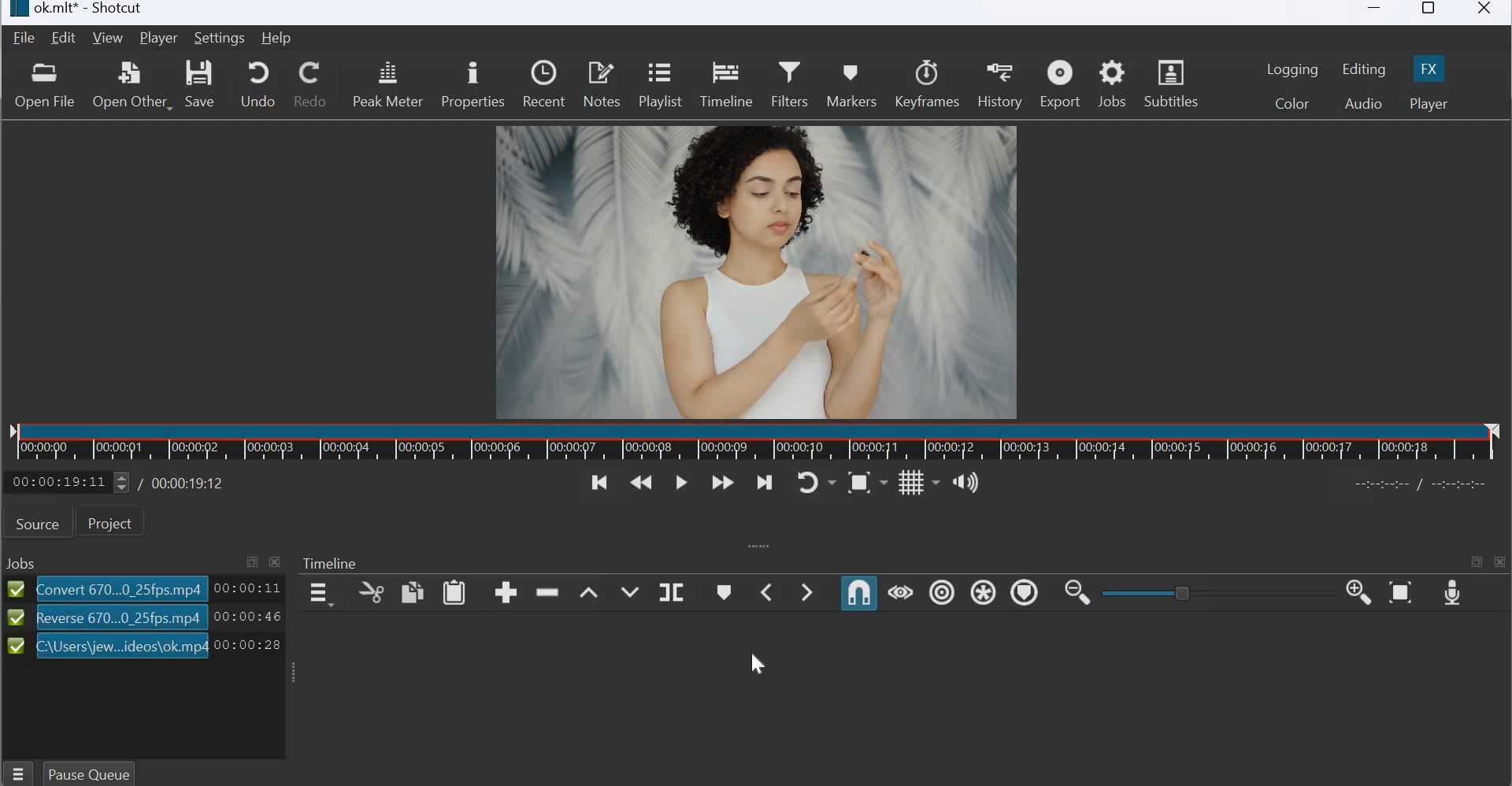 The image size is (1512, 786). What do you see at coordinates (318, 594) in the screenshot?
I see `timeline menu ` at bounding box center [318, 594].